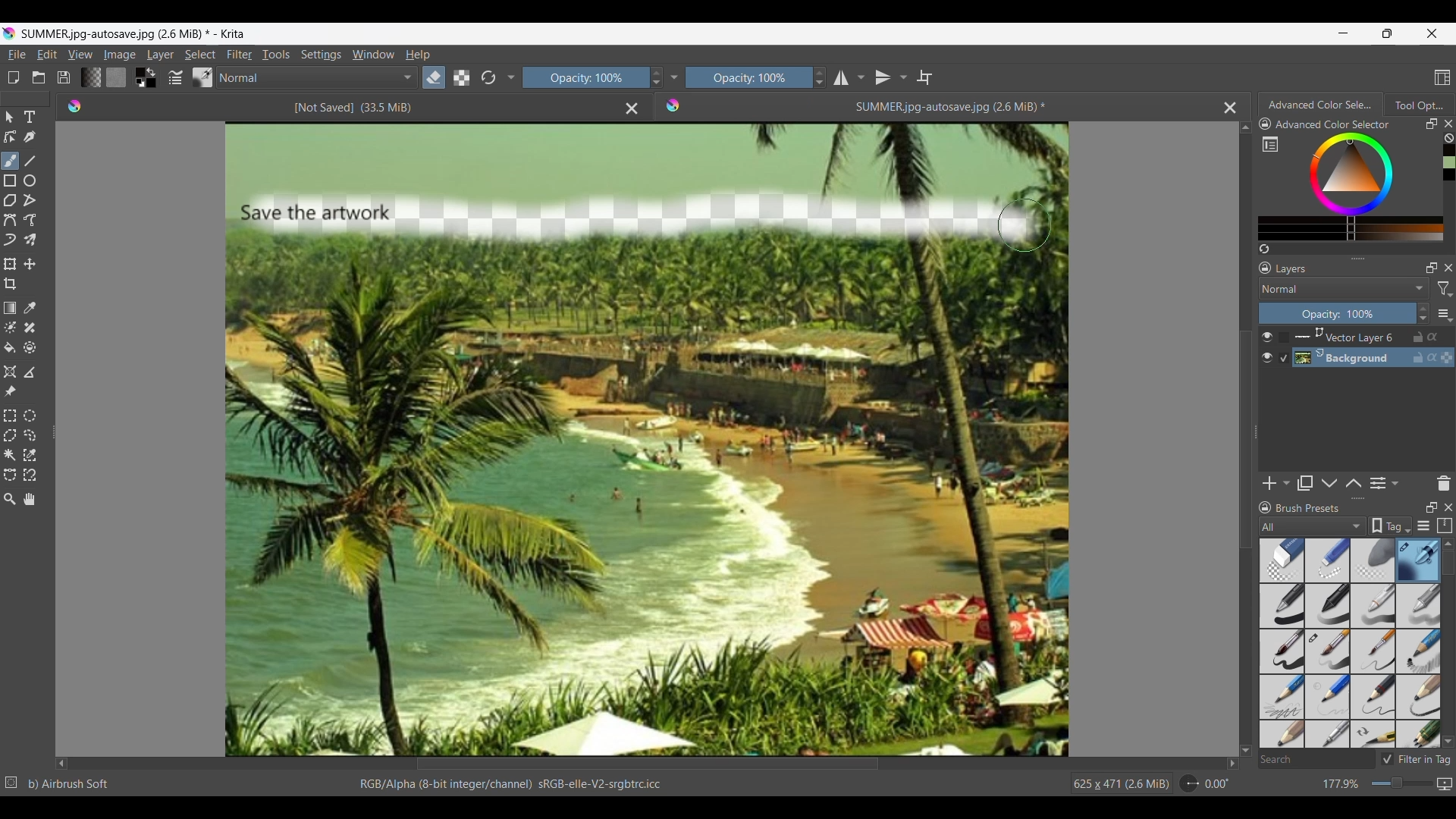  What do you see at coordinates (52, 427) in the screenshot?
I see `Change width of panels attached to this line` at bounding box center [52, 427].